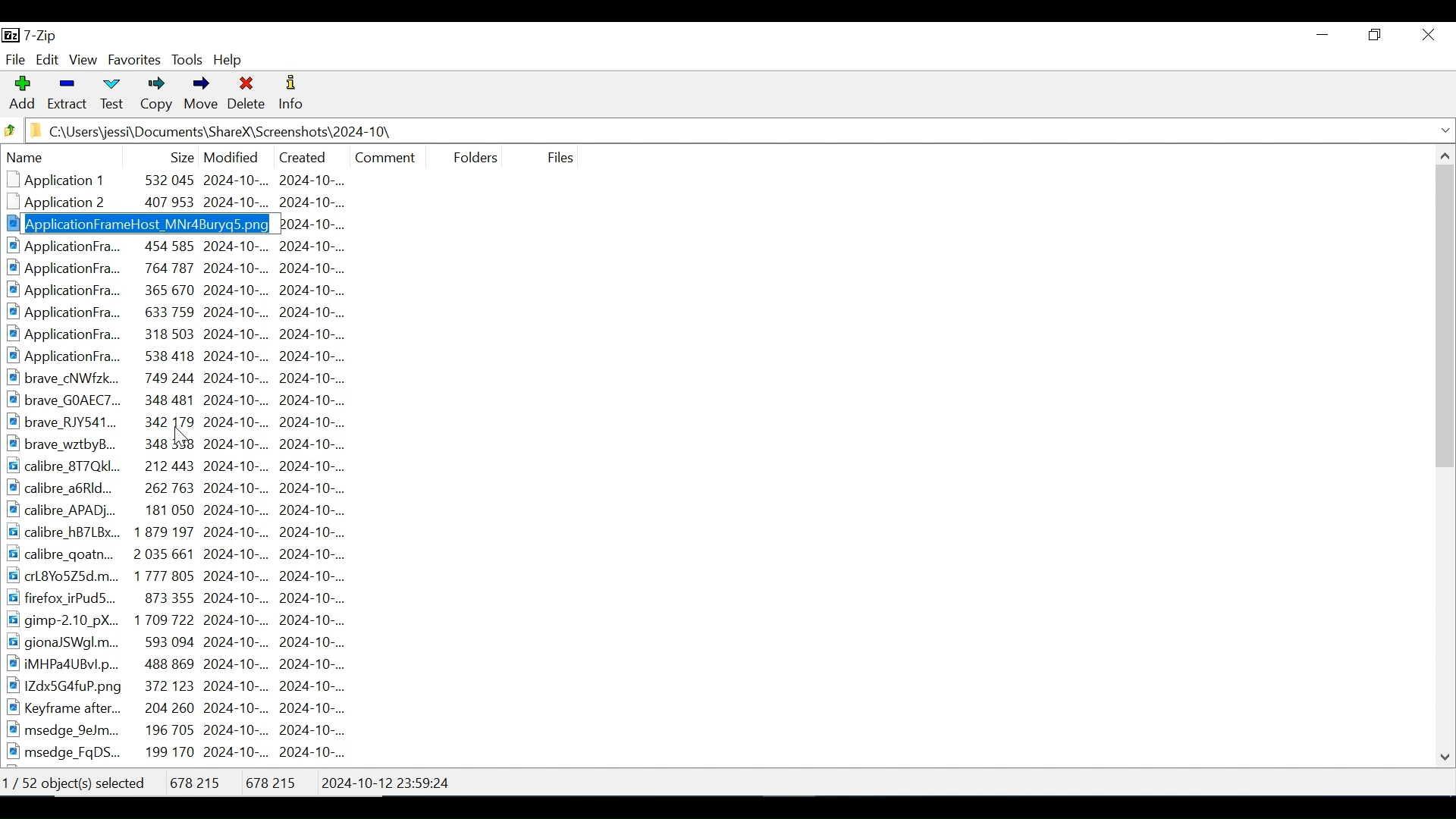 The width and height of the screenshot is (1456, 819). Describe the element at coordinates (192, 512) in the screenshot. I see `calibre_APAD... 181 050 2024-10-.. 2024-10-...` at that location.